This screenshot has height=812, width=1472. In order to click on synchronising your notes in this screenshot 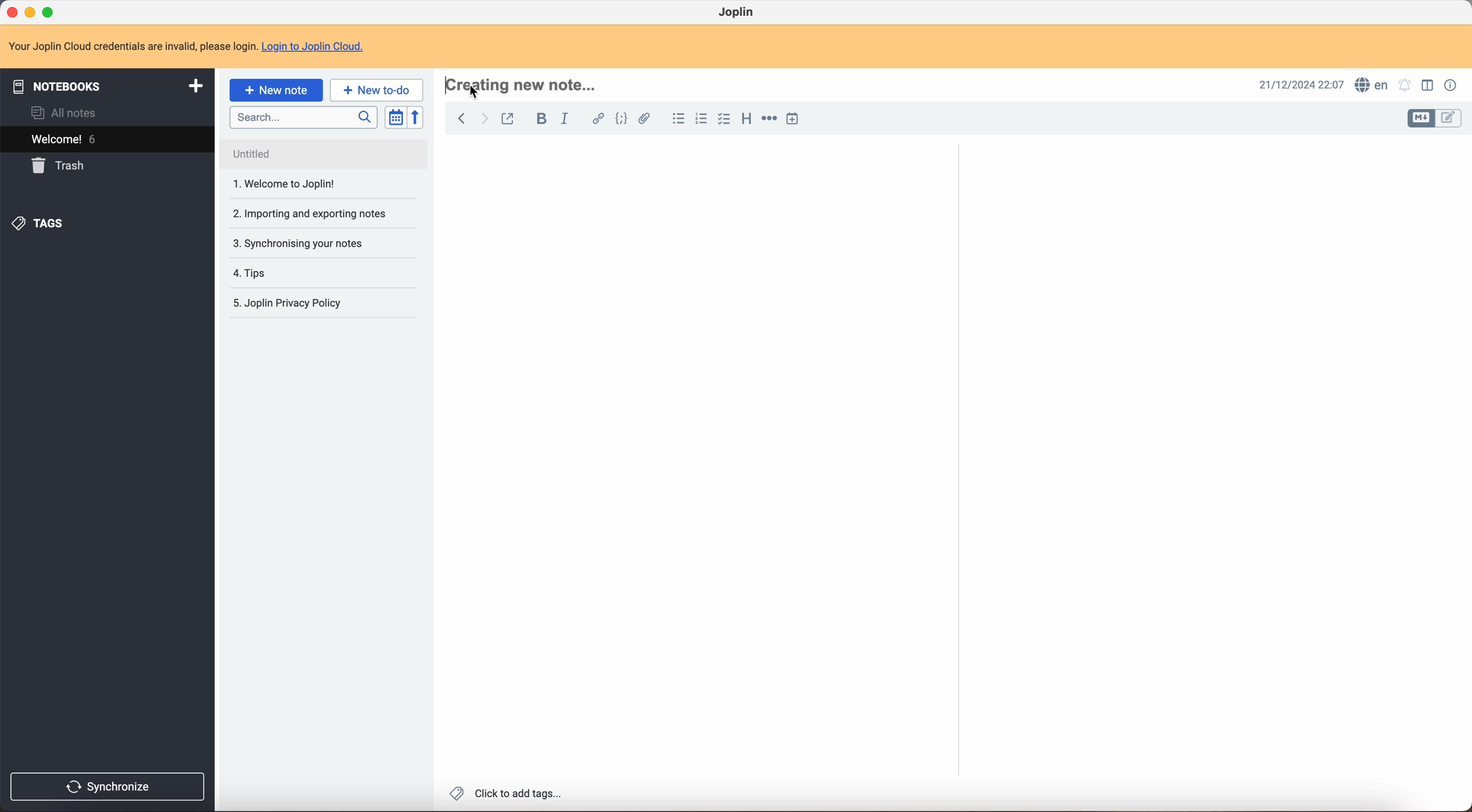, I will do `click(315, 217)`.